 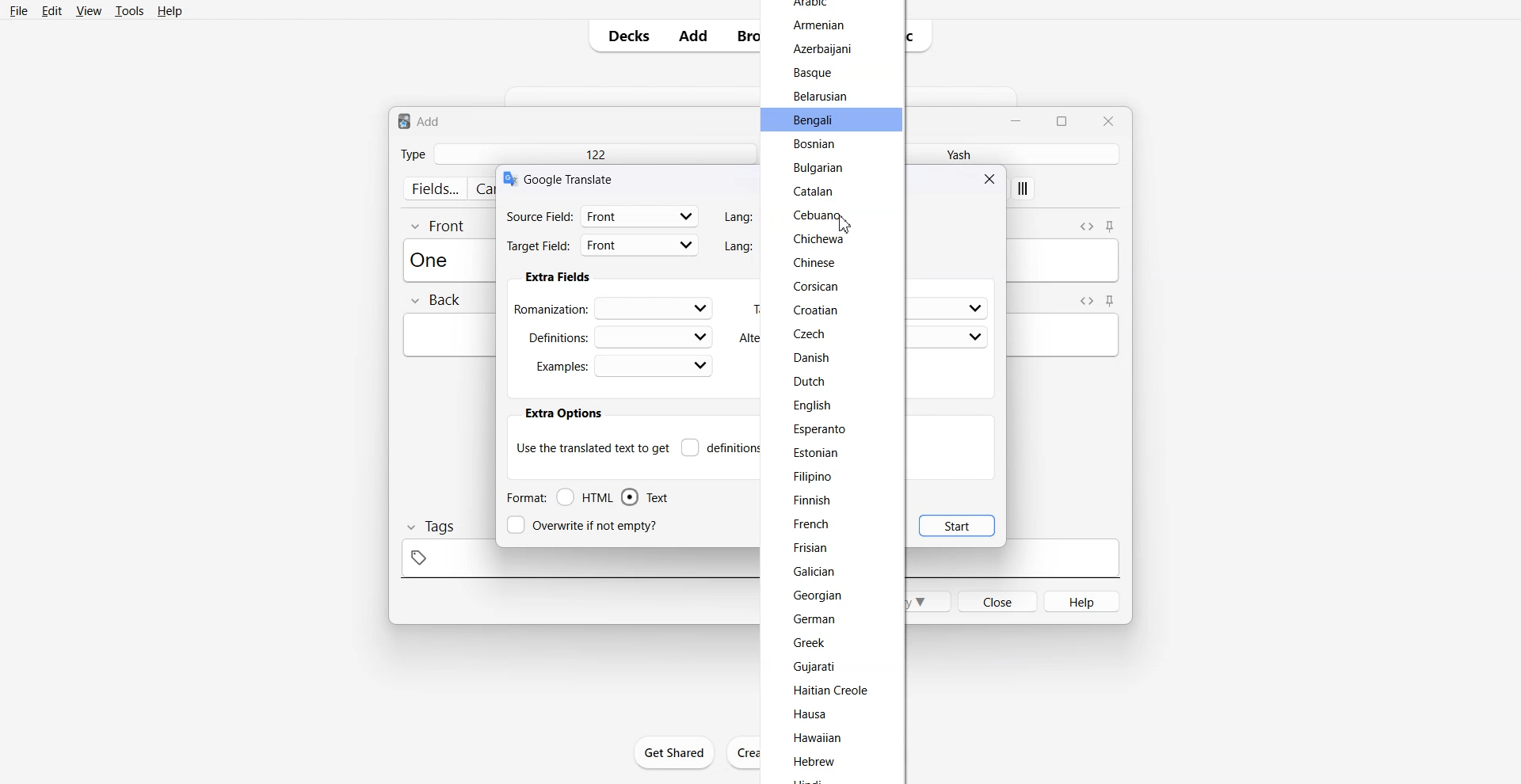 What do you see at coordinates (675, 752) in the screenshot?
I see `Get Shared` at bounding box center [675, 752].